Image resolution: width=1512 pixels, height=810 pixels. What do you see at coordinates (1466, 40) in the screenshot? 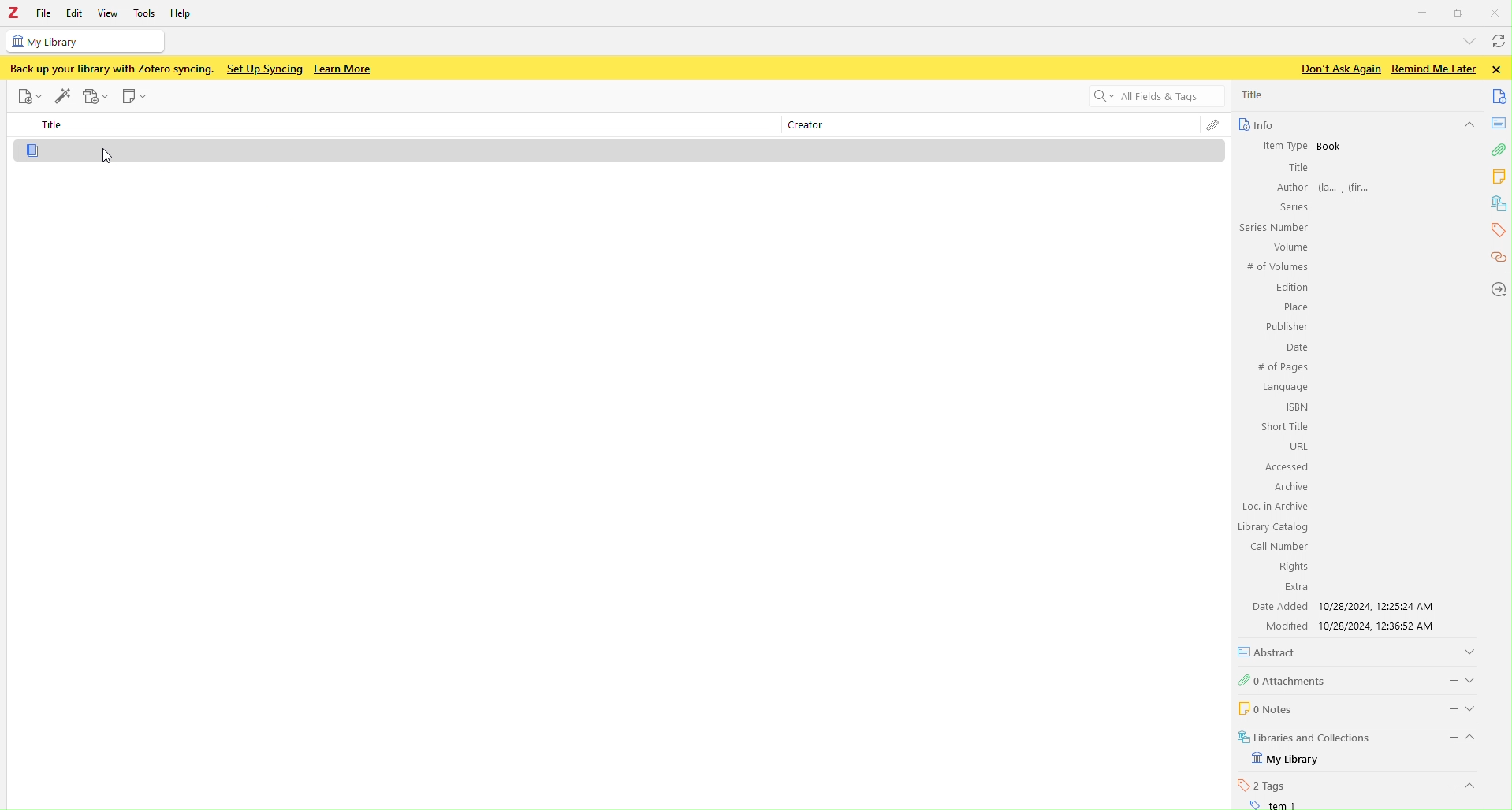
I see `dropdown` at bounding box center [1466, 40].